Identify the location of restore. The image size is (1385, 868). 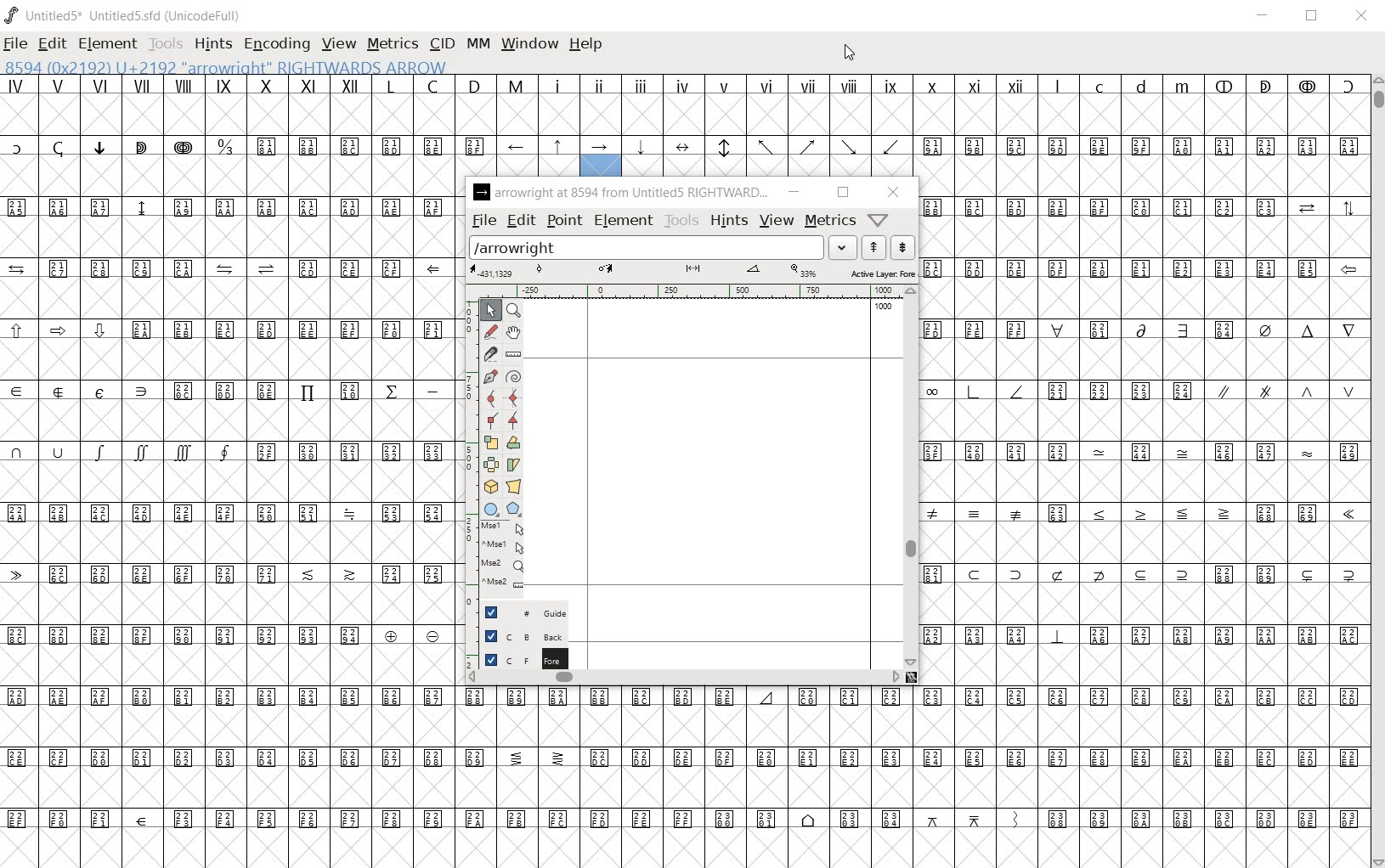
(840, 193).